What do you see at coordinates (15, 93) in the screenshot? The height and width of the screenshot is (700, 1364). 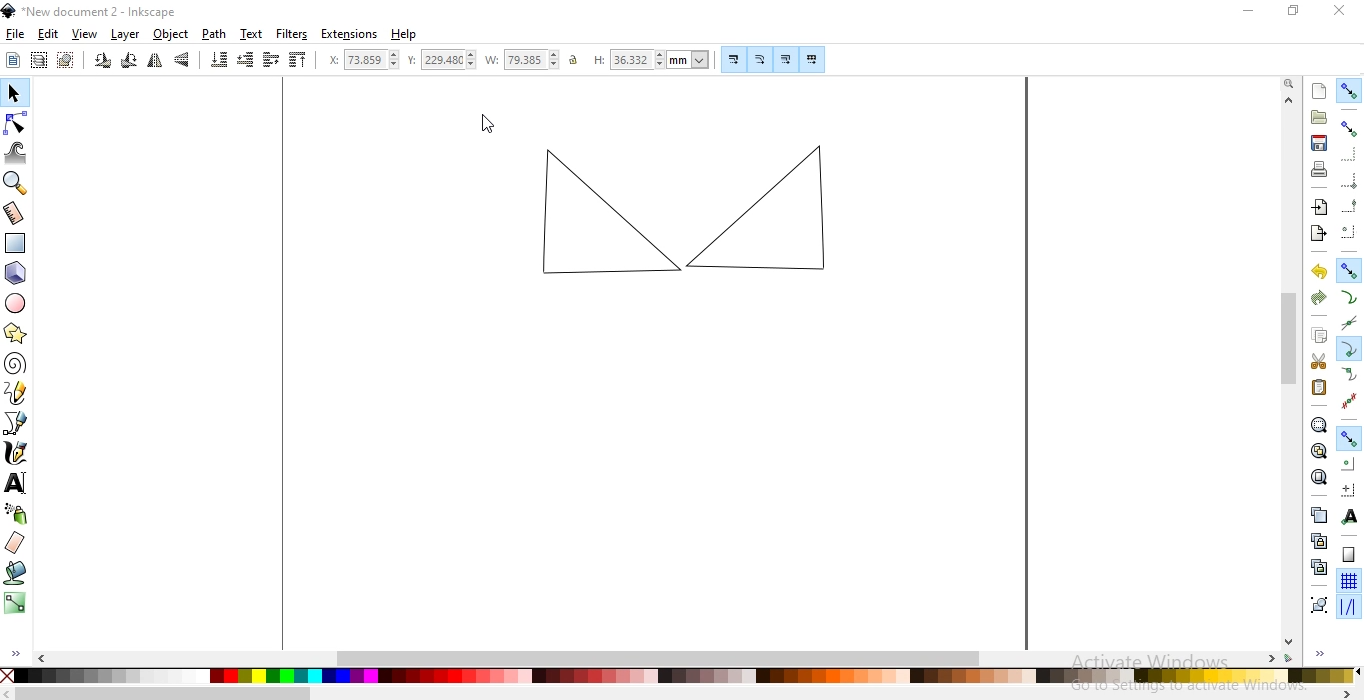 I see `select and transform objects` at bounding box center [15, 93].